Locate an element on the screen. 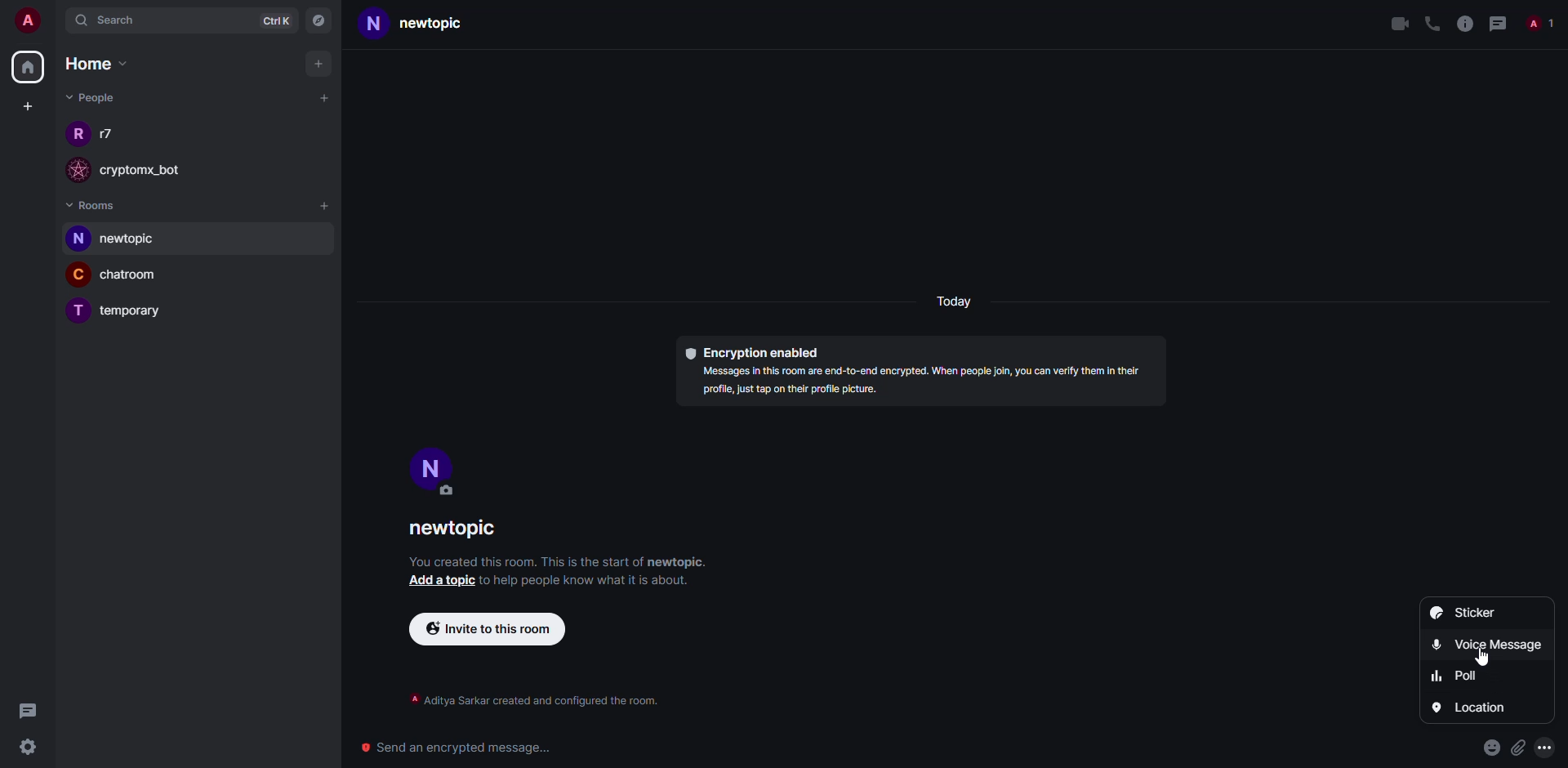  info is located at coordinates (527, 699).